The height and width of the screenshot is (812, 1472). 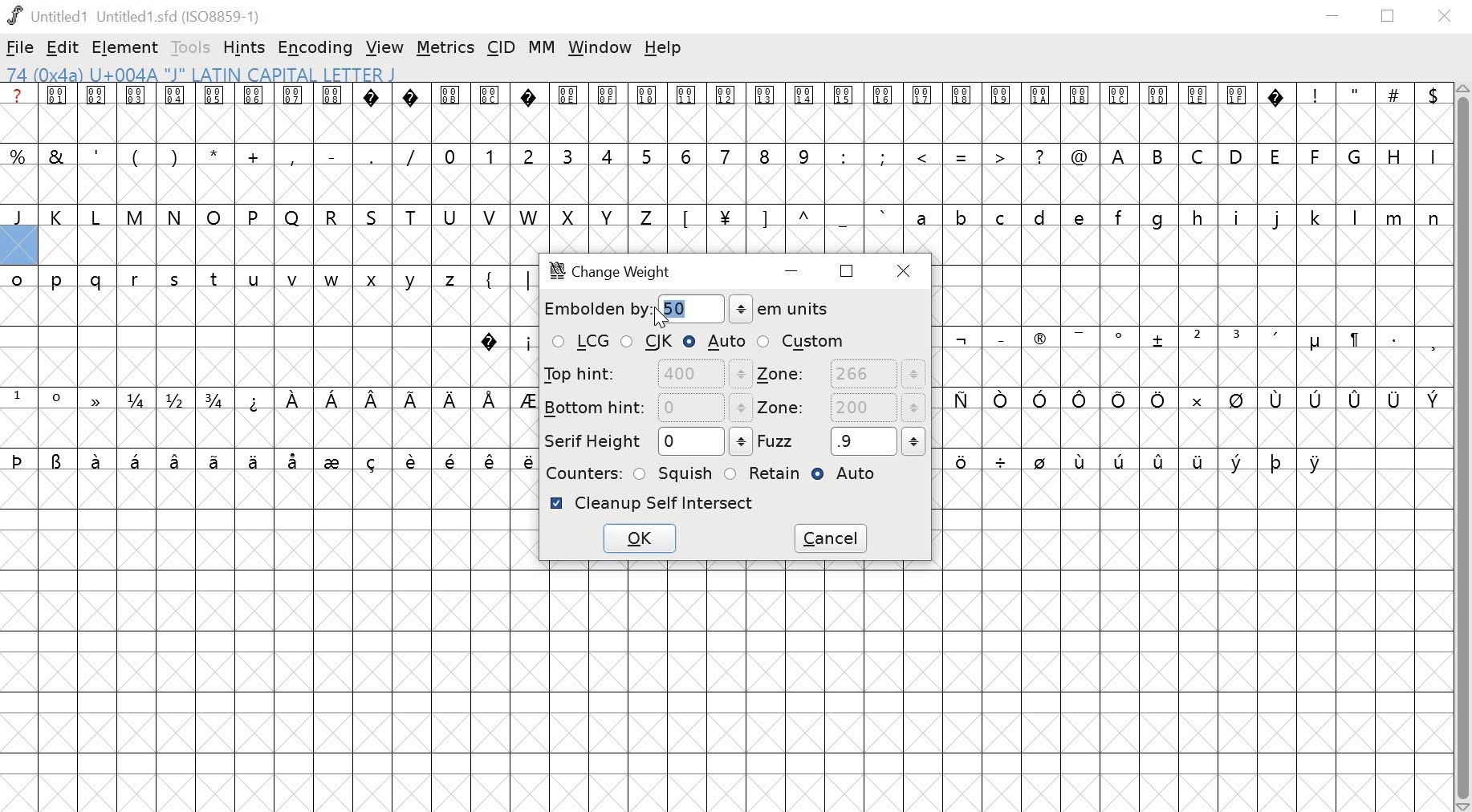 What do you see at coordinates (581, 473) in the screenshot?
I see `COUNTERS` at bounding box center [581, 473].